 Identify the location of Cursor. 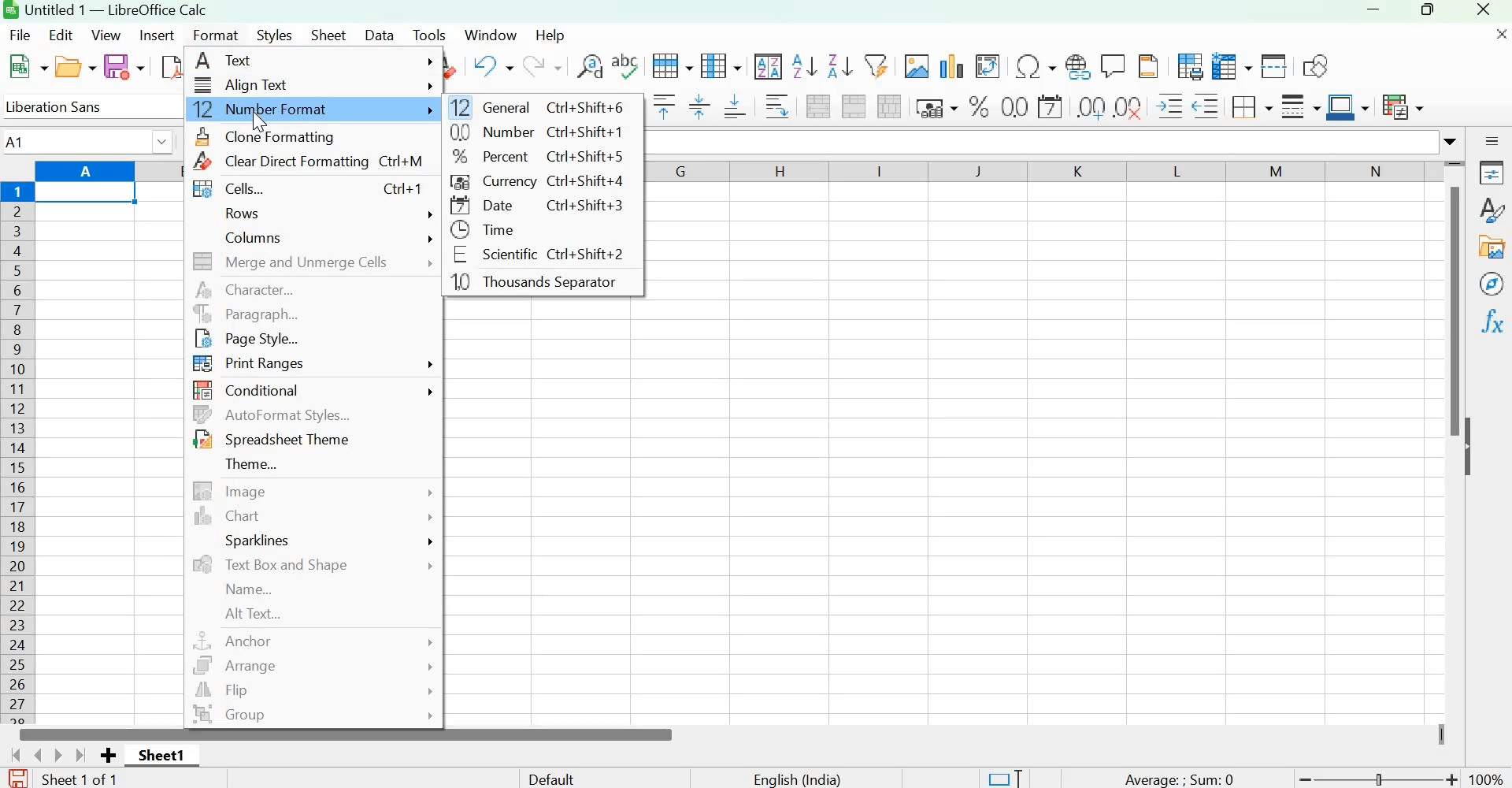
(259, 122).